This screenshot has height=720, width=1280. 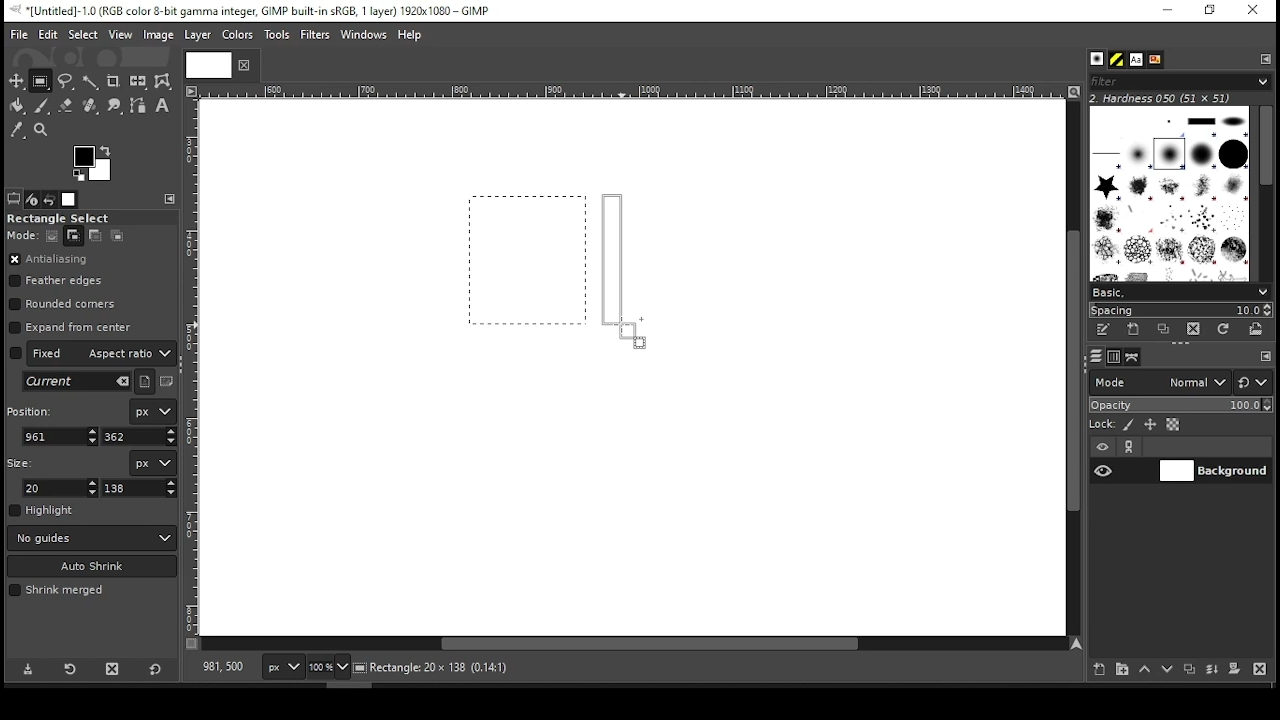 What do you see at coordinates (157, 35) in the screenshot?
I see `image` at bounding box center [157, 35].